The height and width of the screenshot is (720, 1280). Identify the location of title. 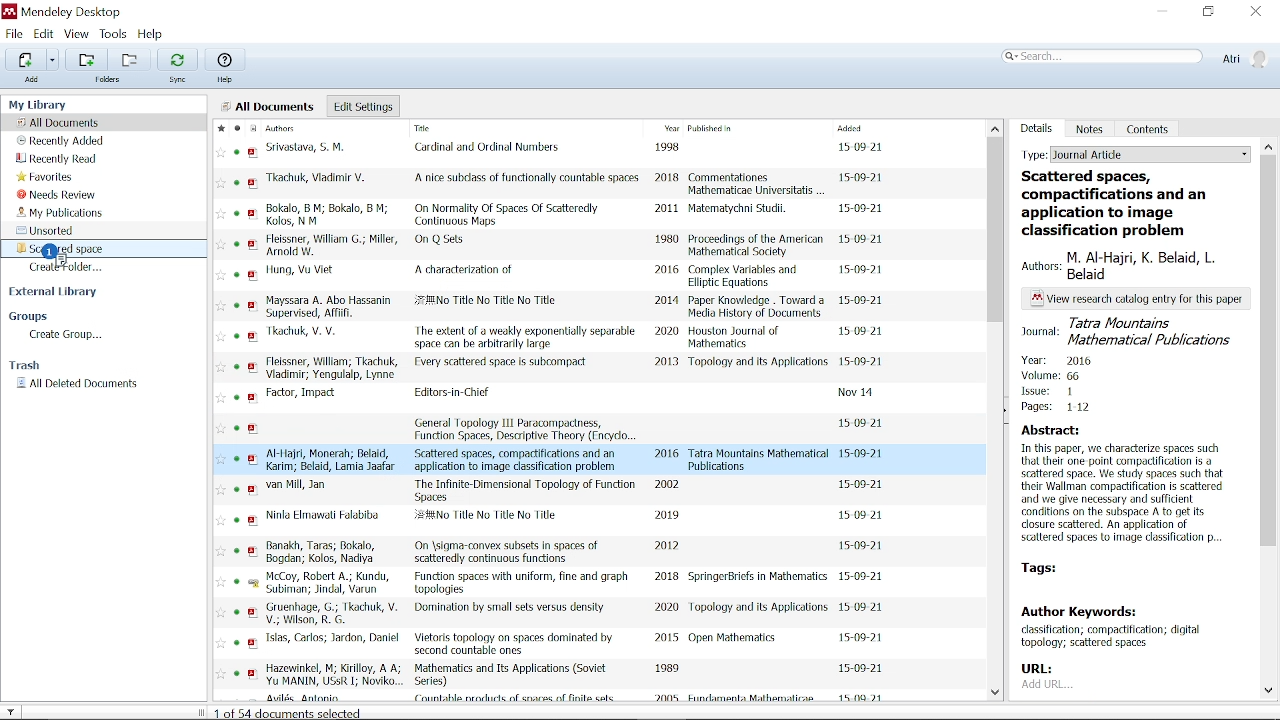
(523, 583).